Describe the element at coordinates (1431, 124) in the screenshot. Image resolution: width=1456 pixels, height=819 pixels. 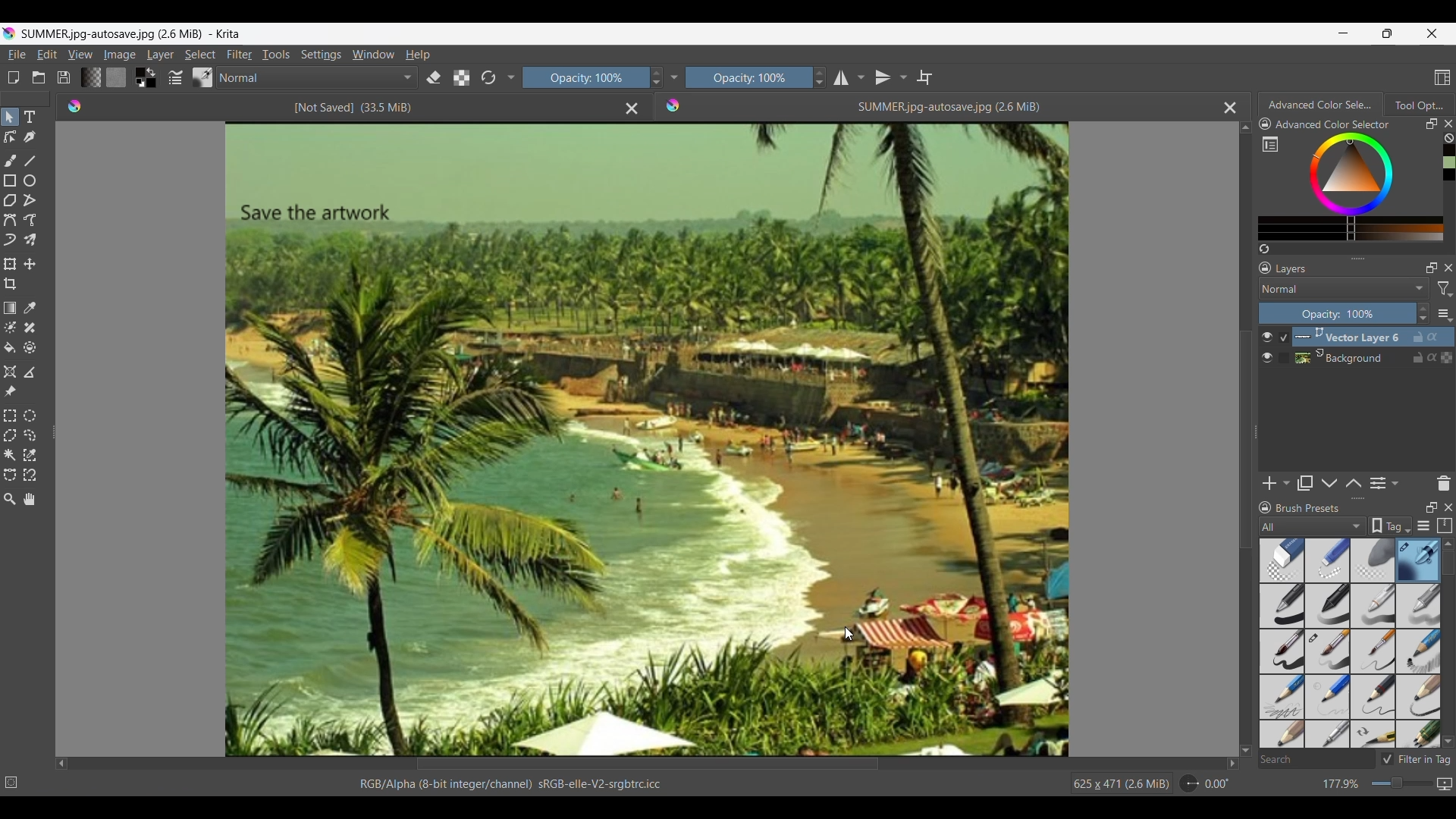
I see `Float panel` at that location.